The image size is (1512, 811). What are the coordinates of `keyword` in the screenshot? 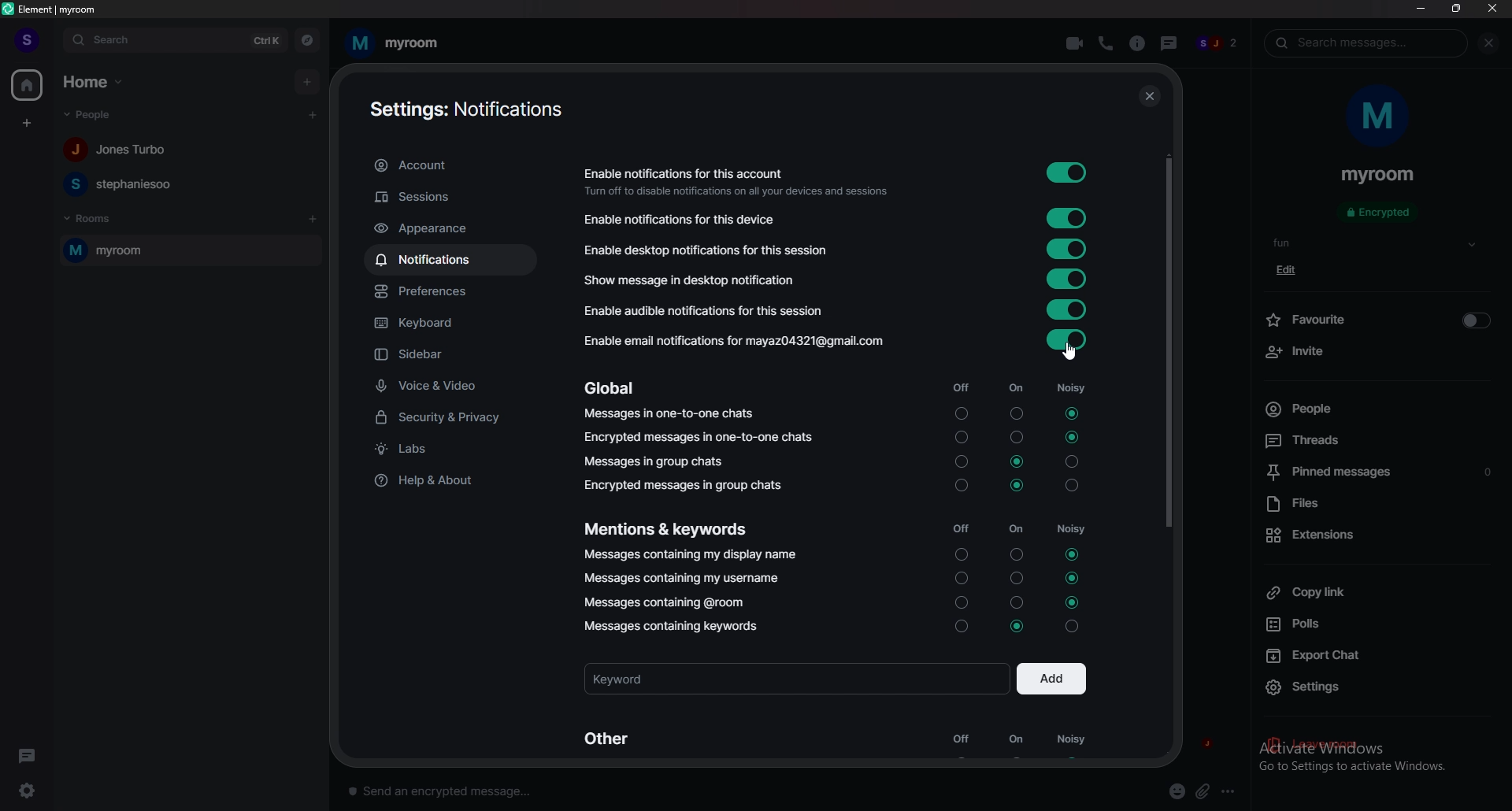 It's located at (795, 677).